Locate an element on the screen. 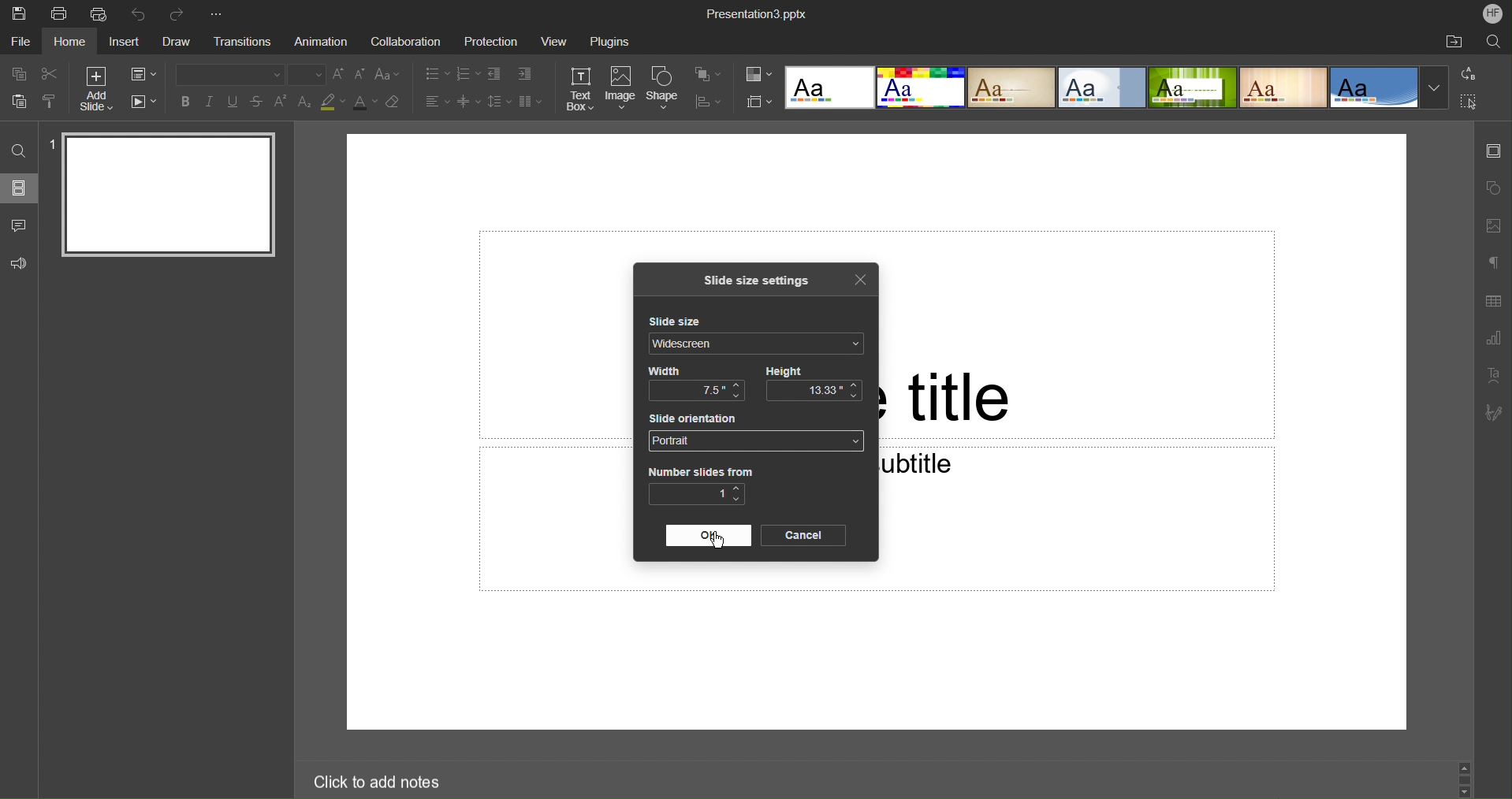 The image size is (1512, 799). Text Case is located at coordinates (389, 75).